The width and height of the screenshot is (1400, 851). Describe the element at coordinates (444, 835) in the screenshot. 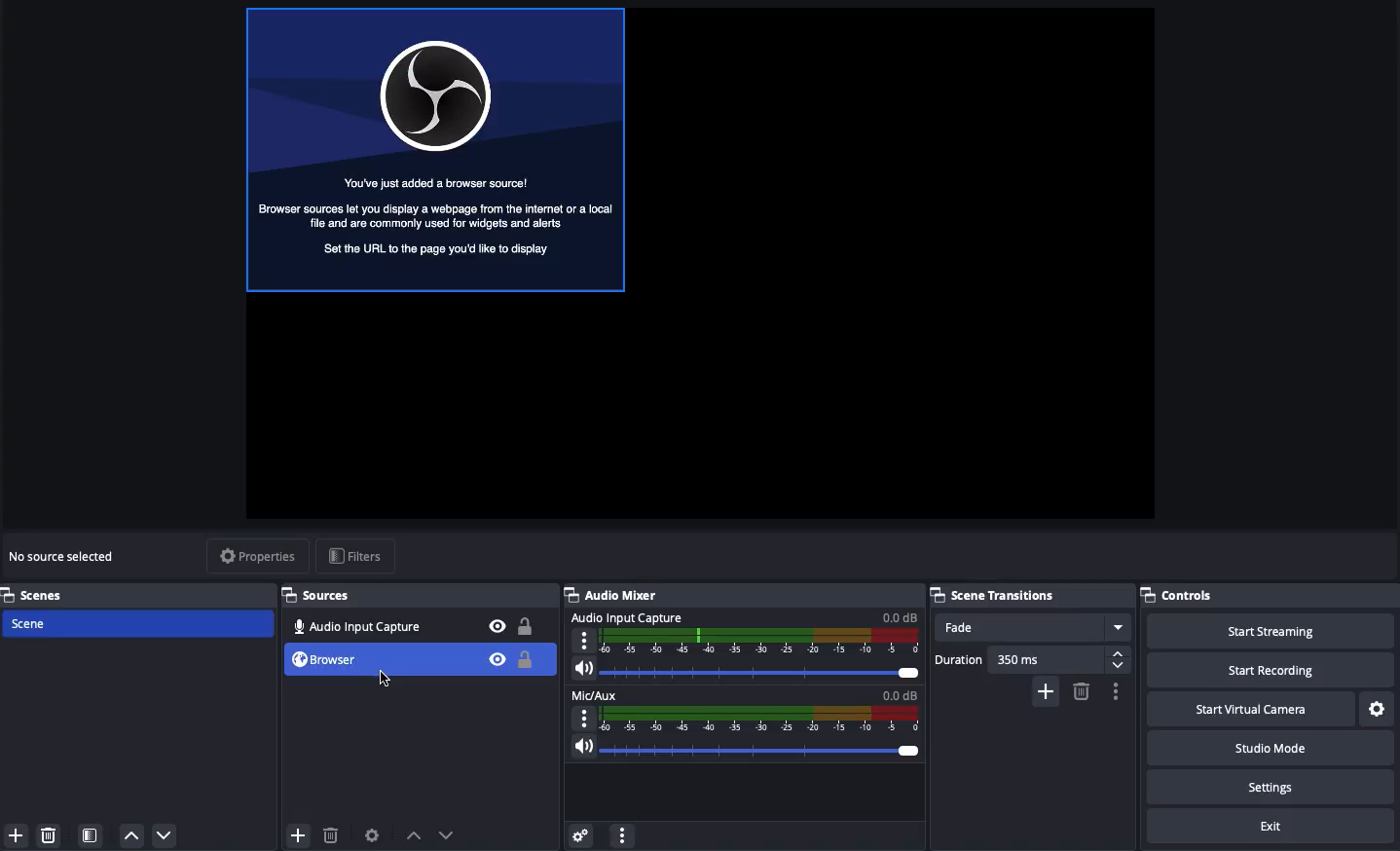

I see `Move down` at that location.